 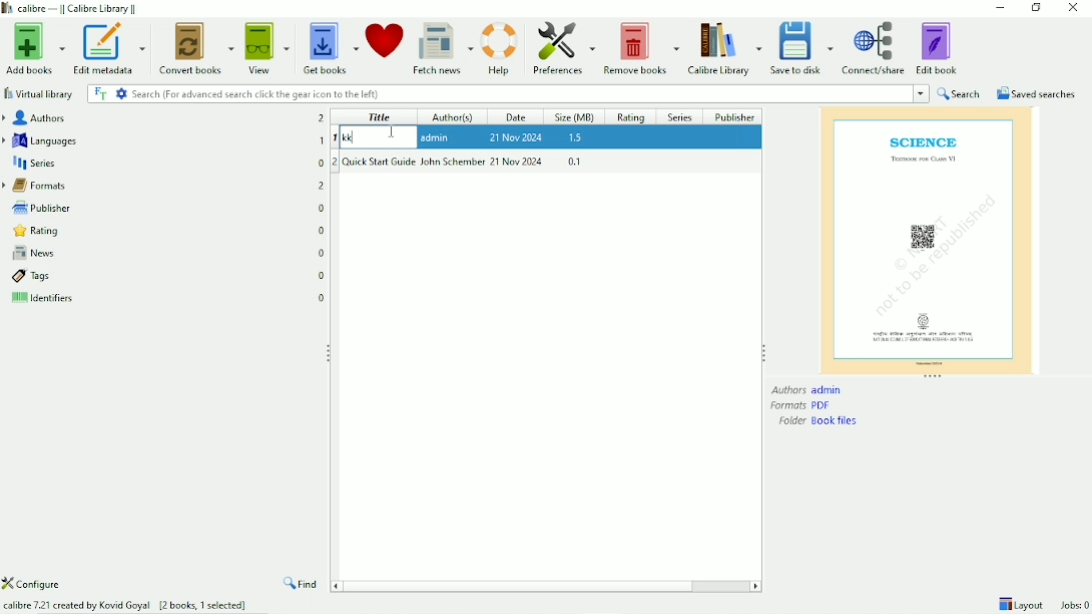 What do you see at coordinates (519, 117) in the screenshot?
I see `Date` at bounding box center [519, 117].